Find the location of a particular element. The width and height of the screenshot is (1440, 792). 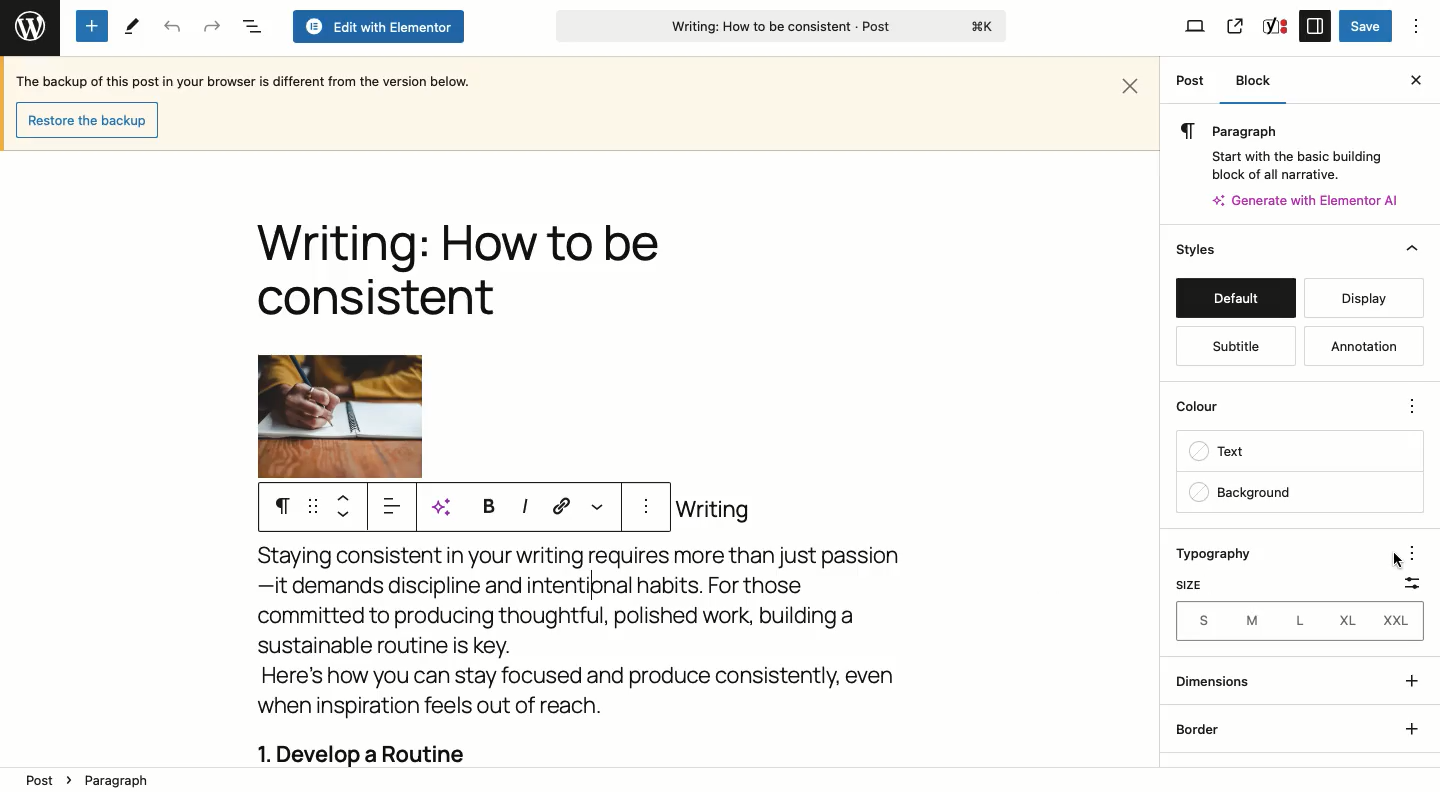

More is located at coordinates (596, 505).